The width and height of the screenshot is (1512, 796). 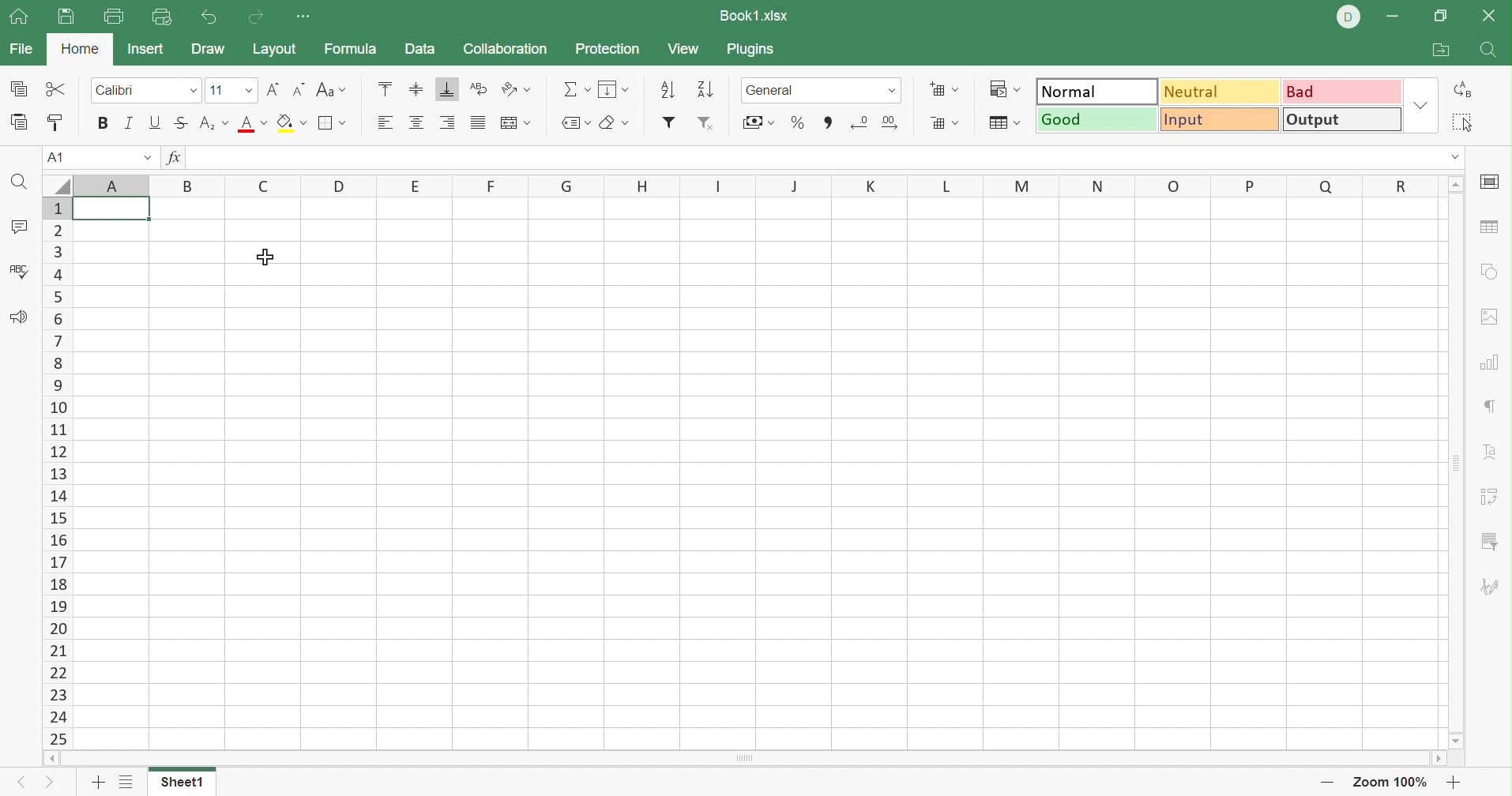 I want to click on Pivot table settings, so click(x=1491, y=496).